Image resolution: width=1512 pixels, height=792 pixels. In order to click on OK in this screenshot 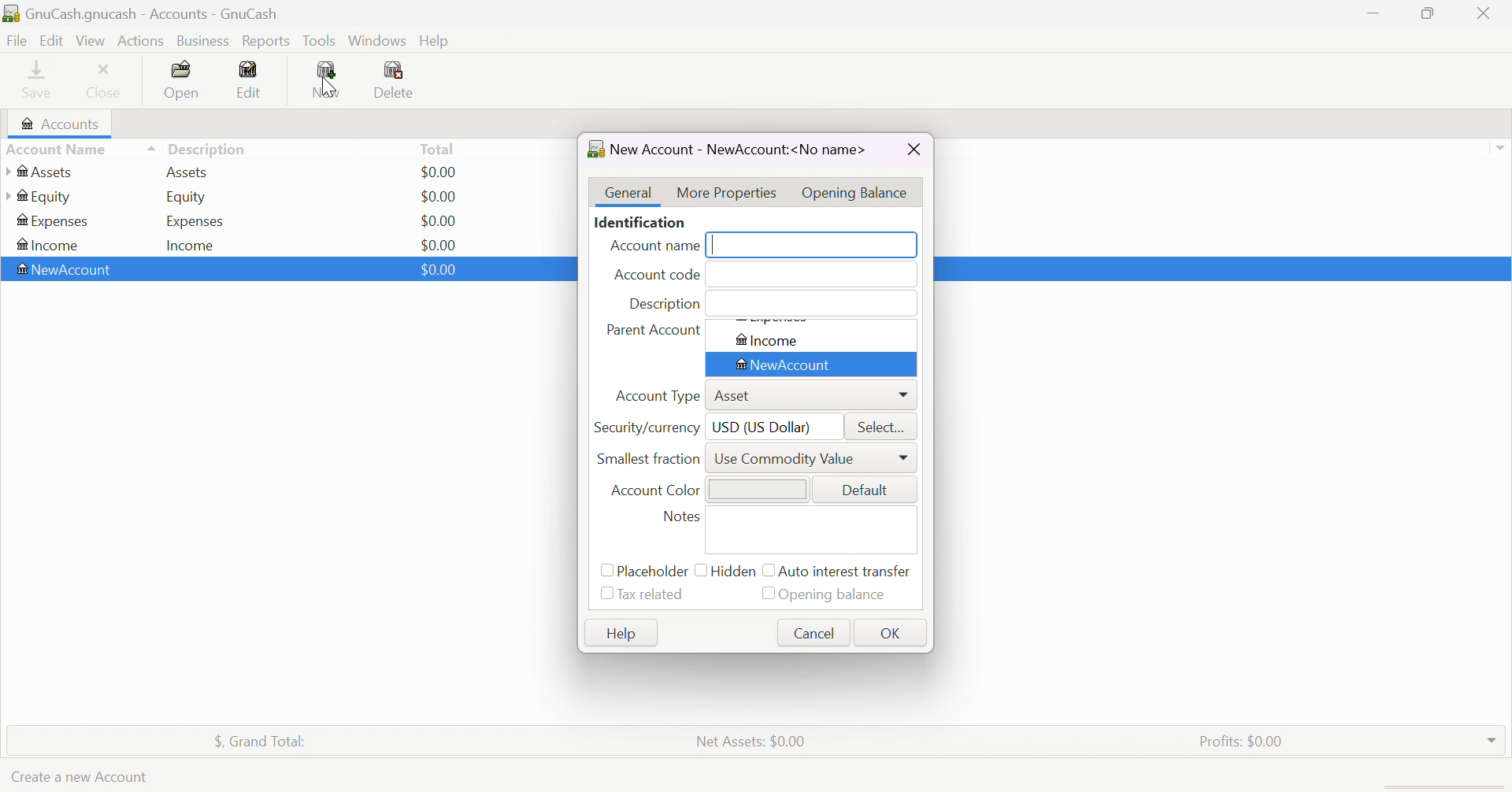, I will do `click(889, 635)`.